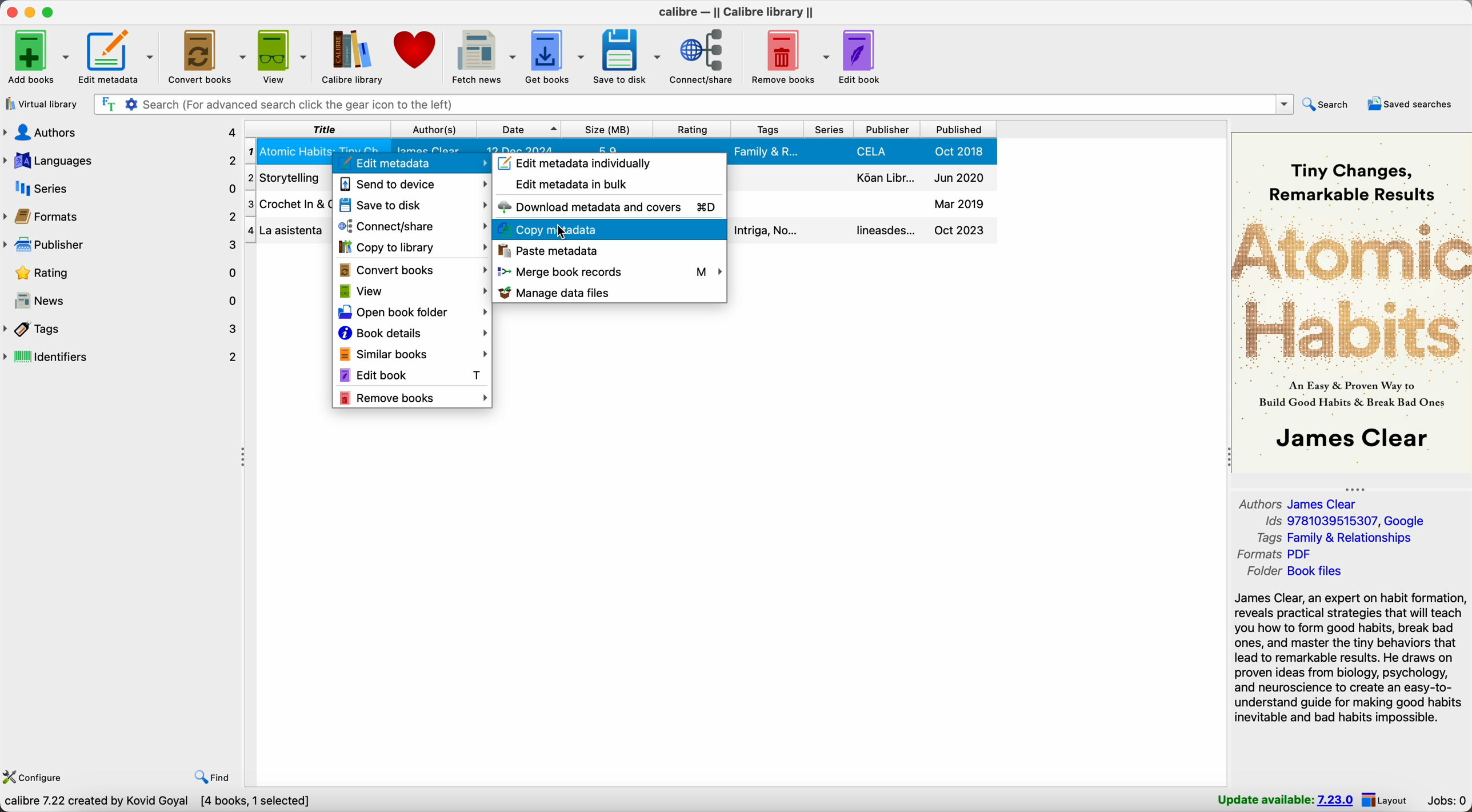 Image resolution: width=1472 pixels, height=812 pixels. I want to click on title, so click(318, 129).